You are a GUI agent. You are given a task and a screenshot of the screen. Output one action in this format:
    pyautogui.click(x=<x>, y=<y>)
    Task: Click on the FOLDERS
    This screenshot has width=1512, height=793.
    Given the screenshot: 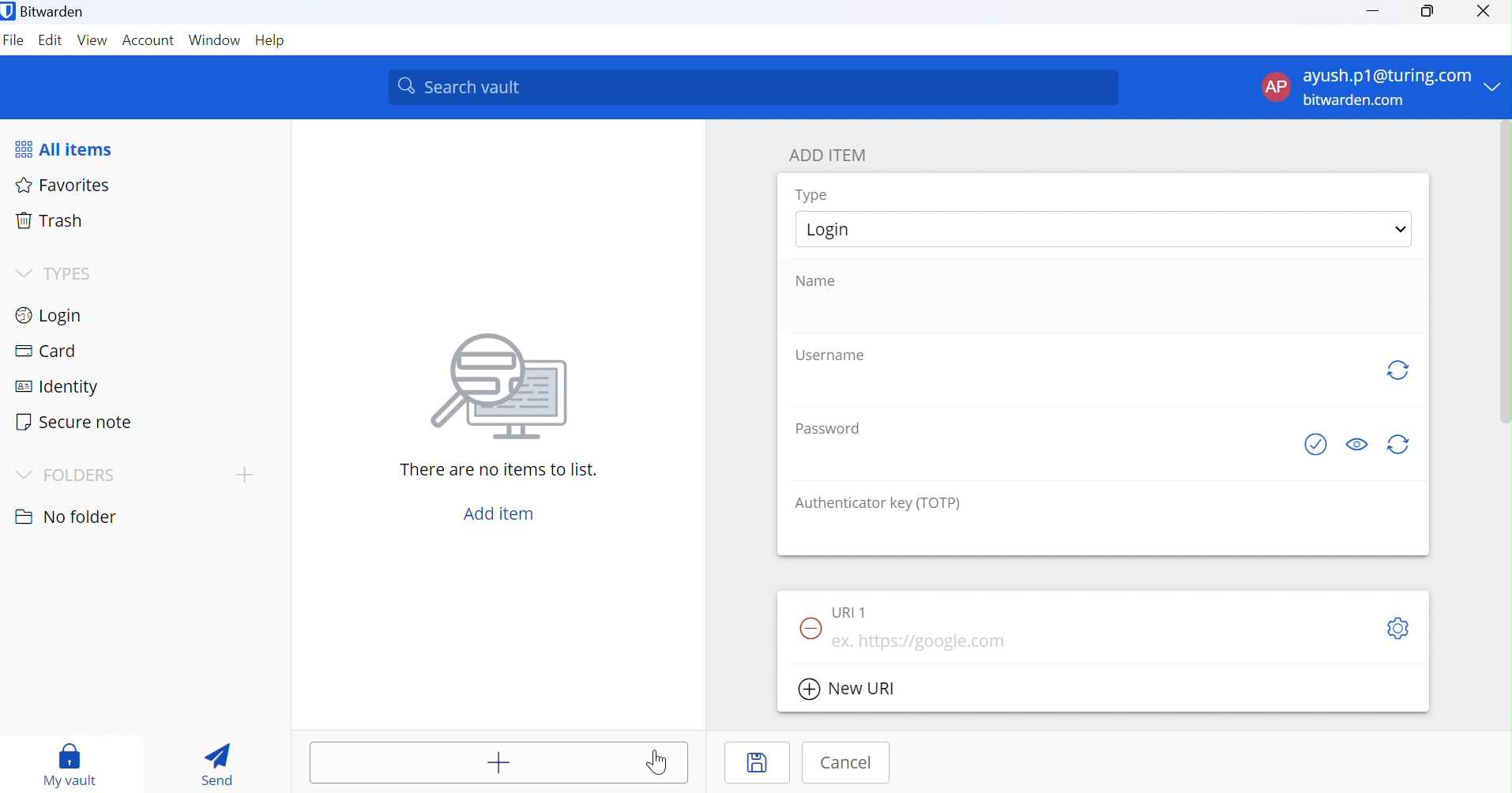 What is the action you would take?
    pyautogui.click(x=70, y=472)
    